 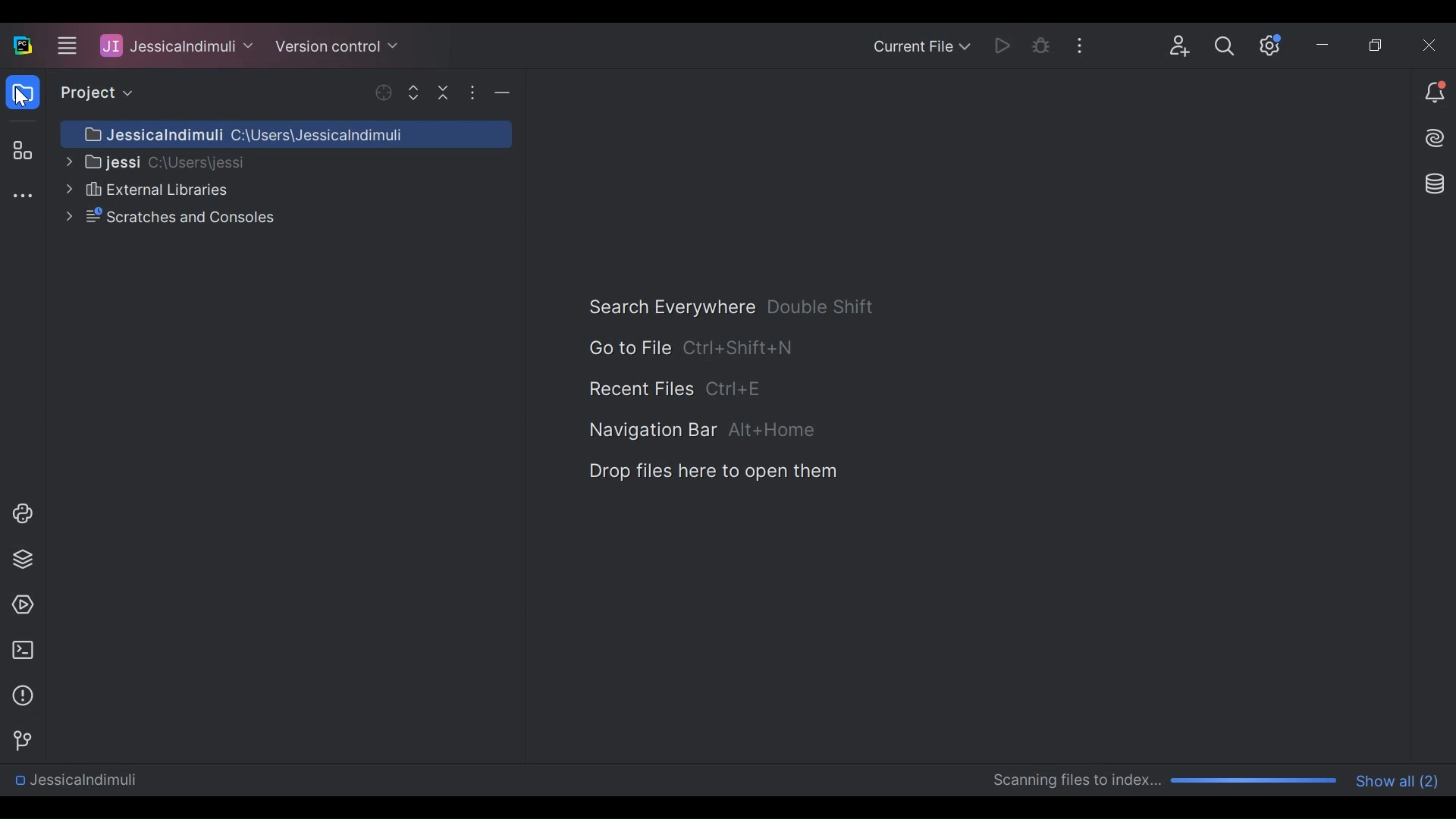 I want to click on Project Directory, so click(x=282, y=133).